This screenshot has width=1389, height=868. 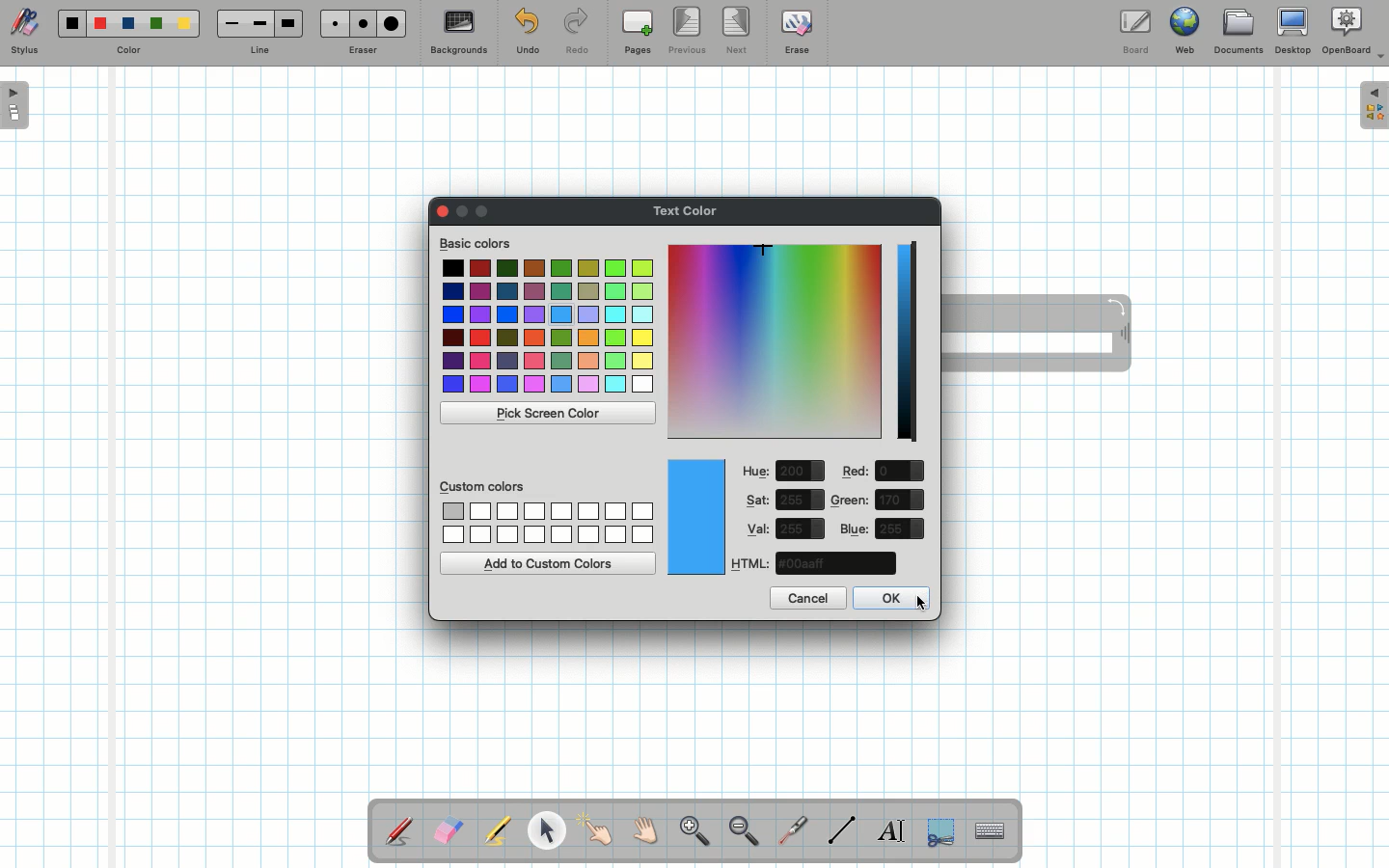 What do you see at coordinates (689, 32) in the screenshot?
I see `Previous` at bounding box center [689, 32].